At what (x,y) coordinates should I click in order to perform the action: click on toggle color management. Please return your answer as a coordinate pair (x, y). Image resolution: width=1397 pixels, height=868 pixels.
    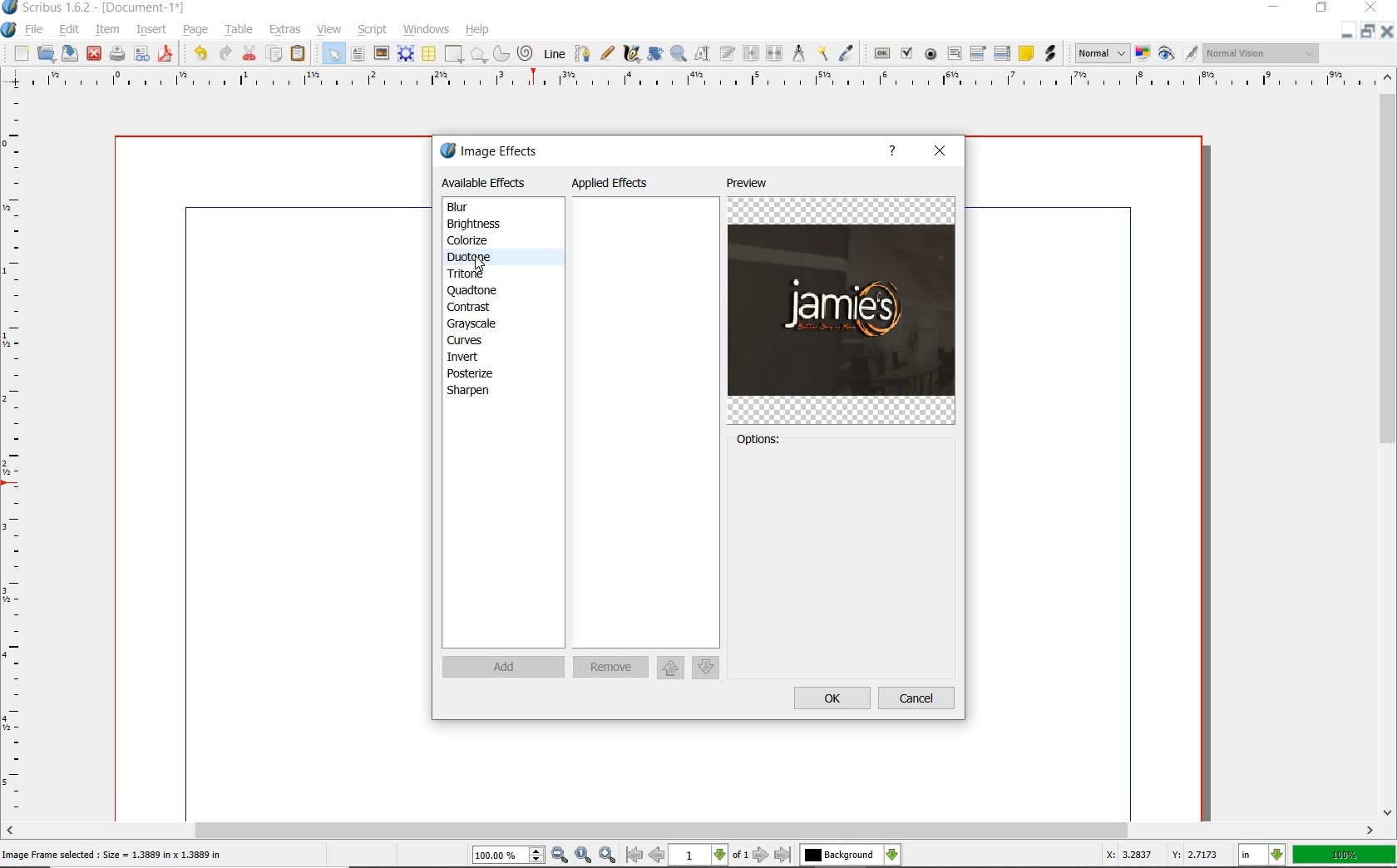
    Looking at the image, I should click on (1143, 53).